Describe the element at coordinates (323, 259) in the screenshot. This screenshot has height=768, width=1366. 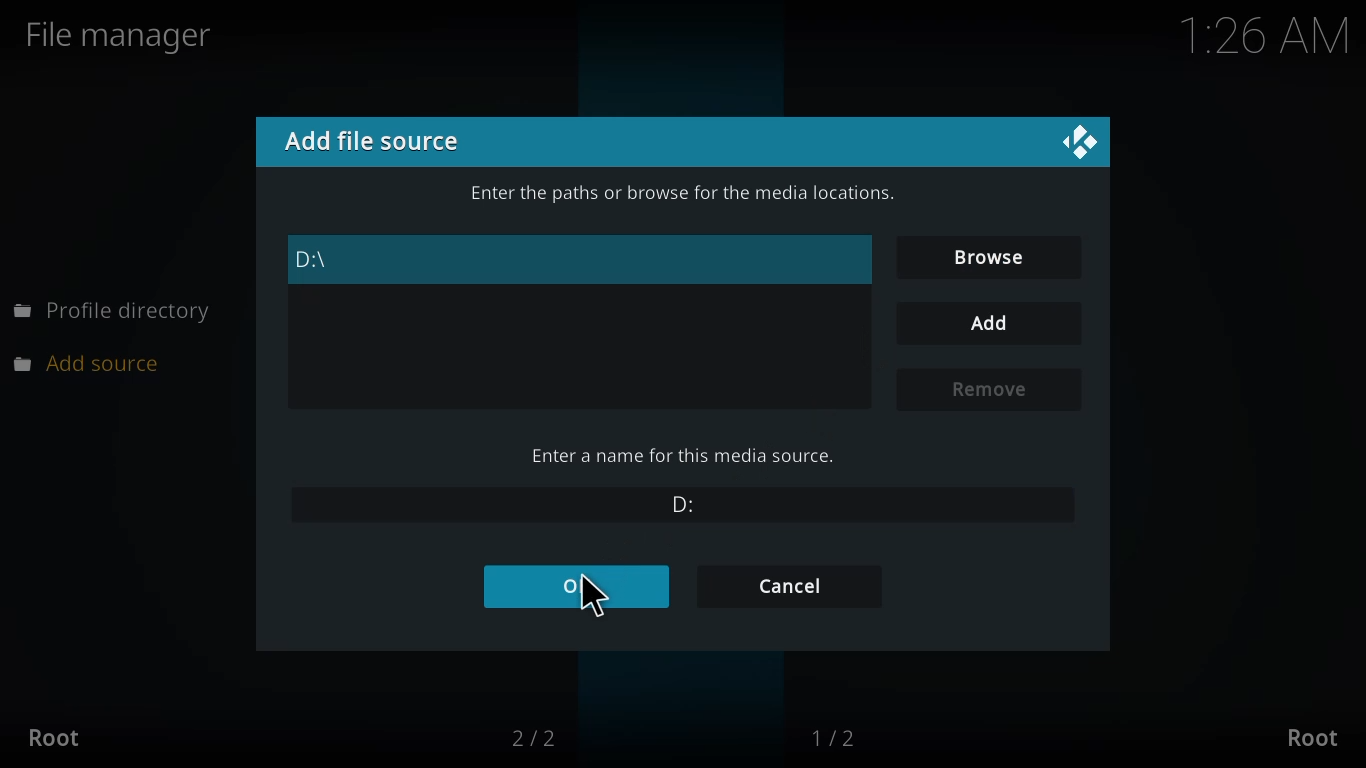
I see `d` at that location.